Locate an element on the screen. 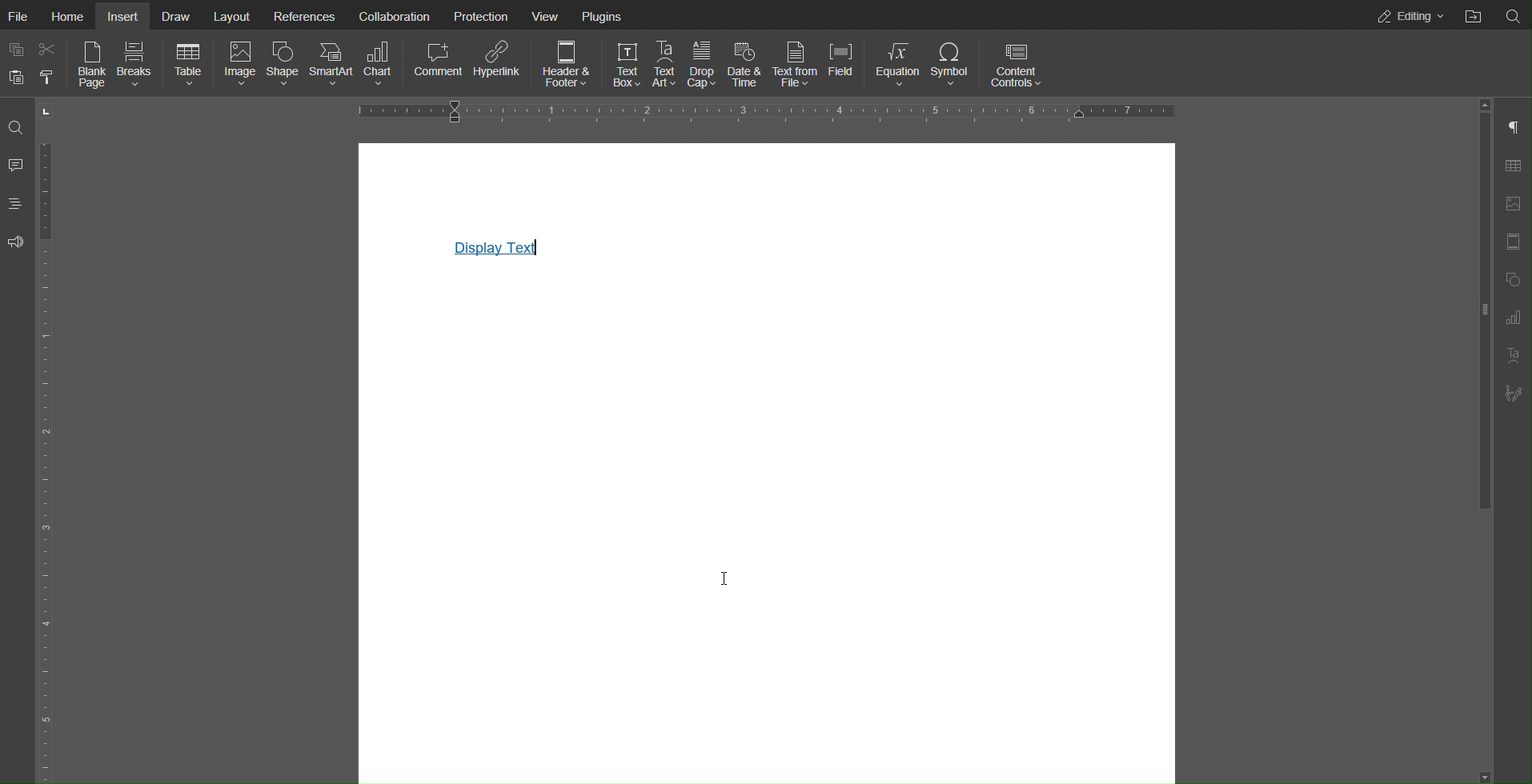  Comment is located at coordinates (435, 64).